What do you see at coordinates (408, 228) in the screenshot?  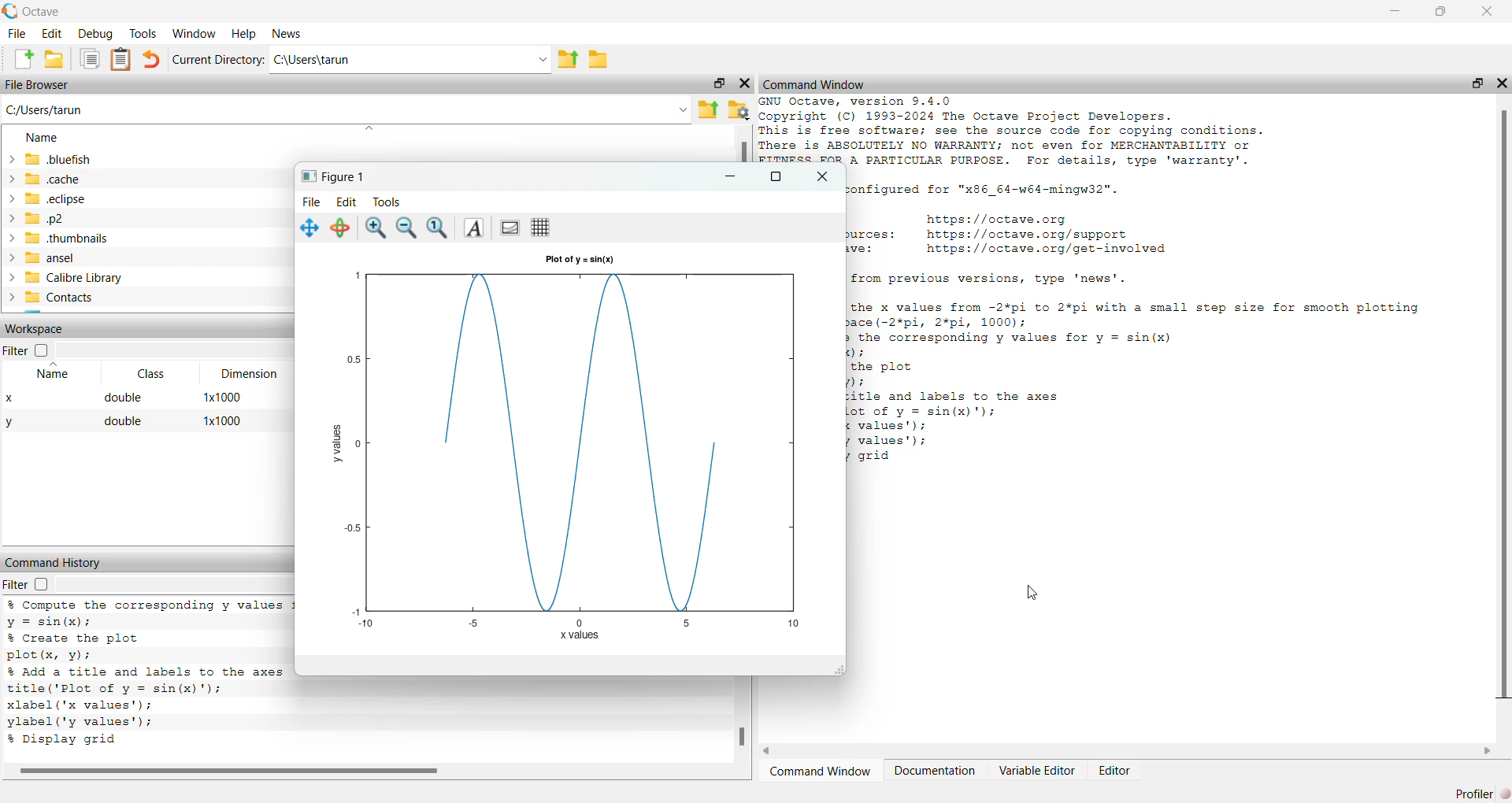 I see `zoom out` at bounding box center [408, 228].